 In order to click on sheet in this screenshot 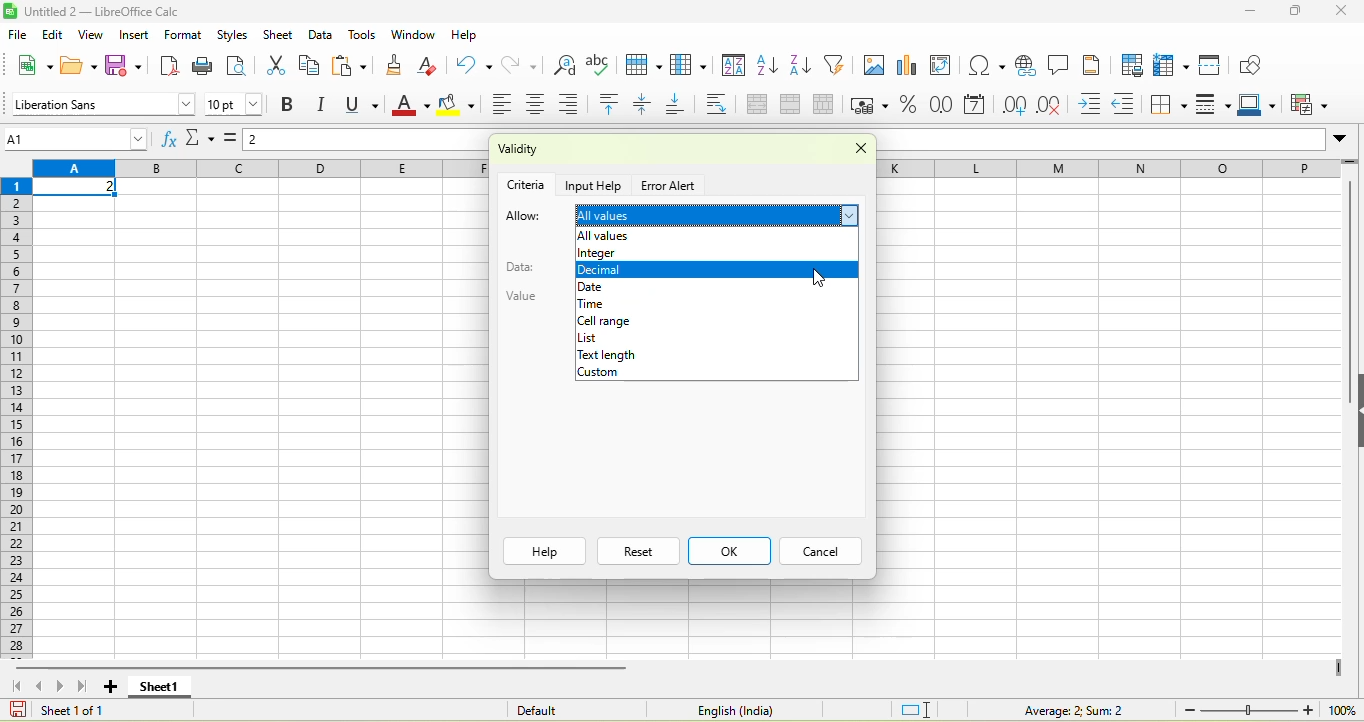, I will do `click(278, 35)`.